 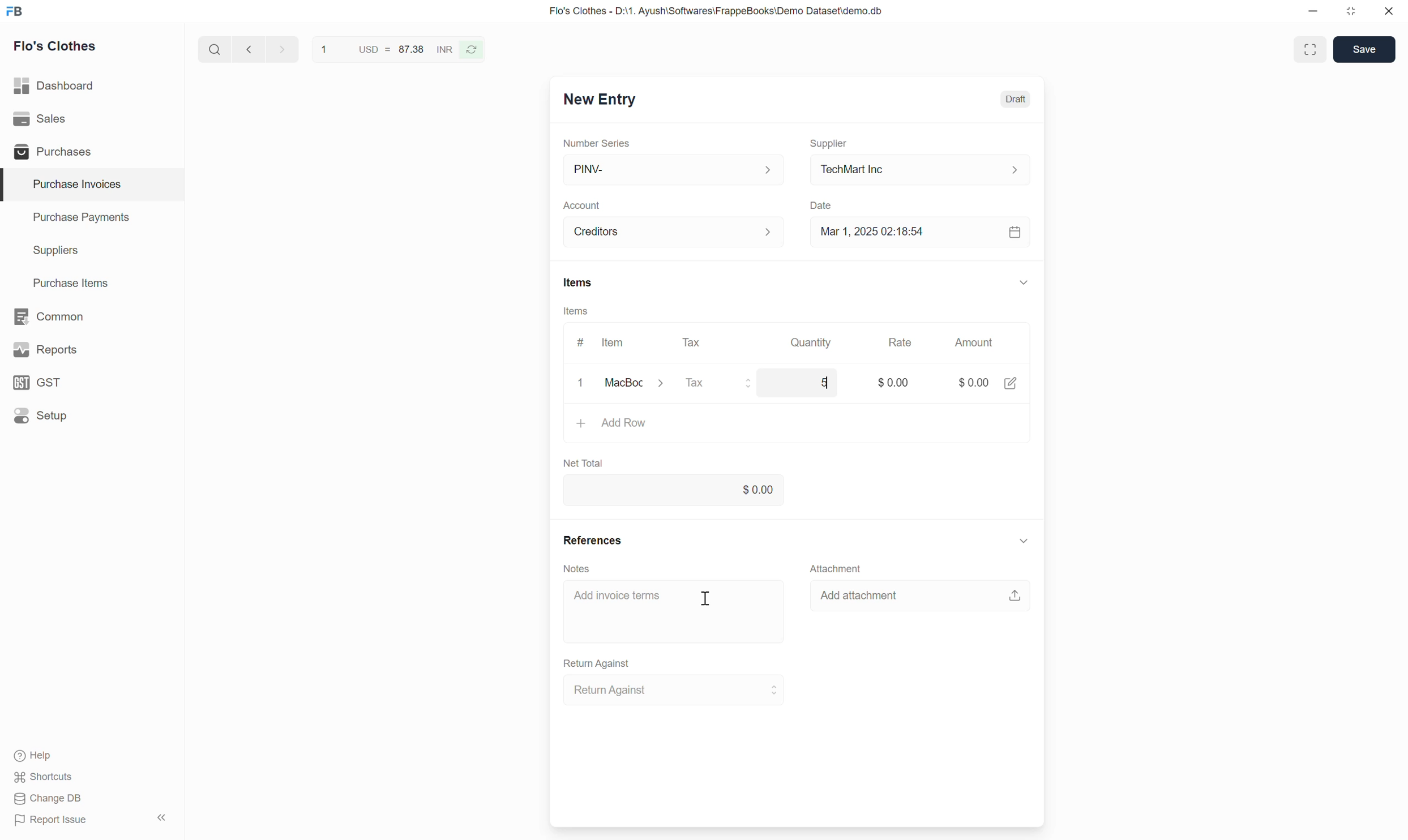 I want to click on Minimize, so click(x=1313, y=11).